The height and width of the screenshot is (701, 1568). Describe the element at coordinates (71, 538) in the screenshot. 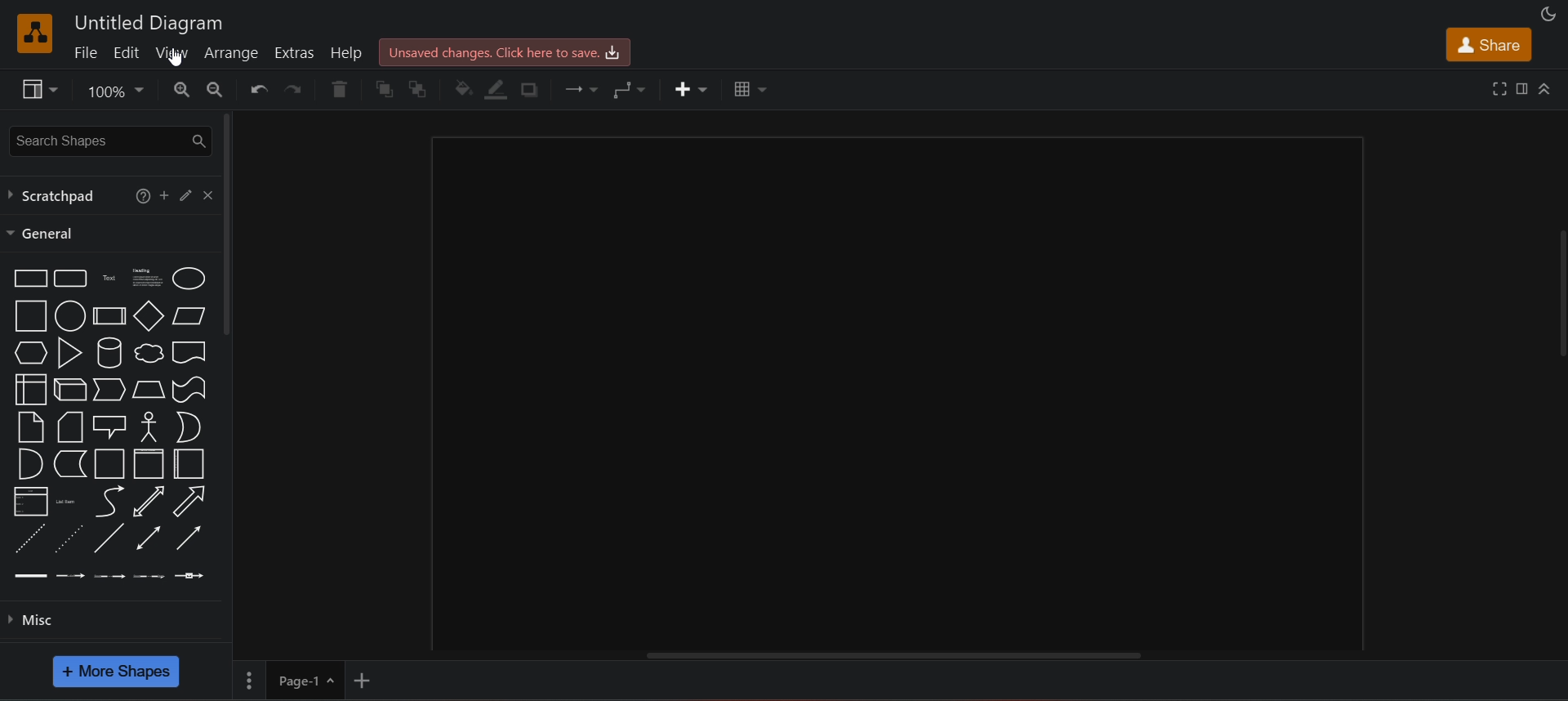

I see `dotted line` at that location.